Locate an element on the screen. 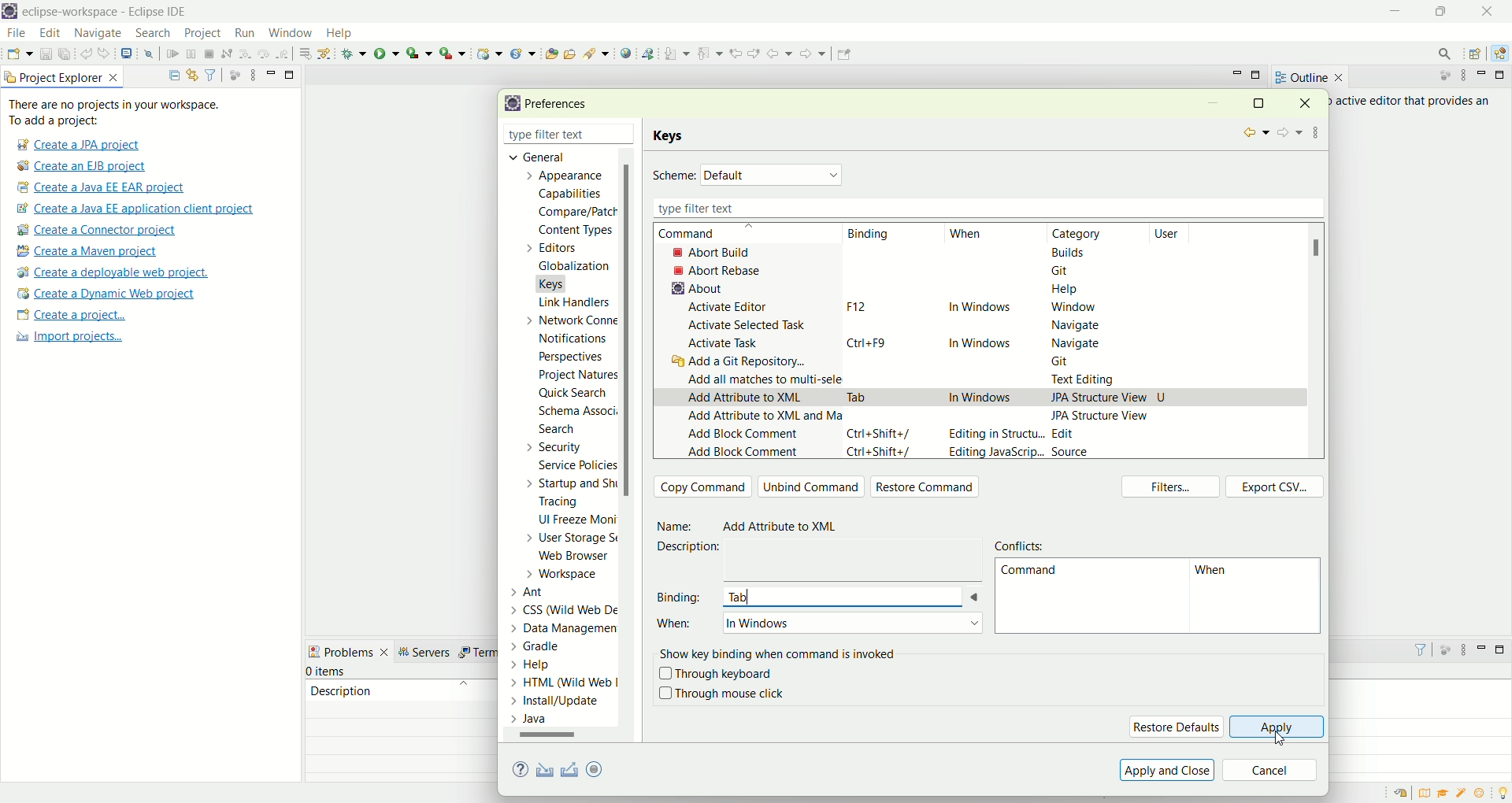 The image size is (1512, 803). Tab is located at coordinates (858, 394).